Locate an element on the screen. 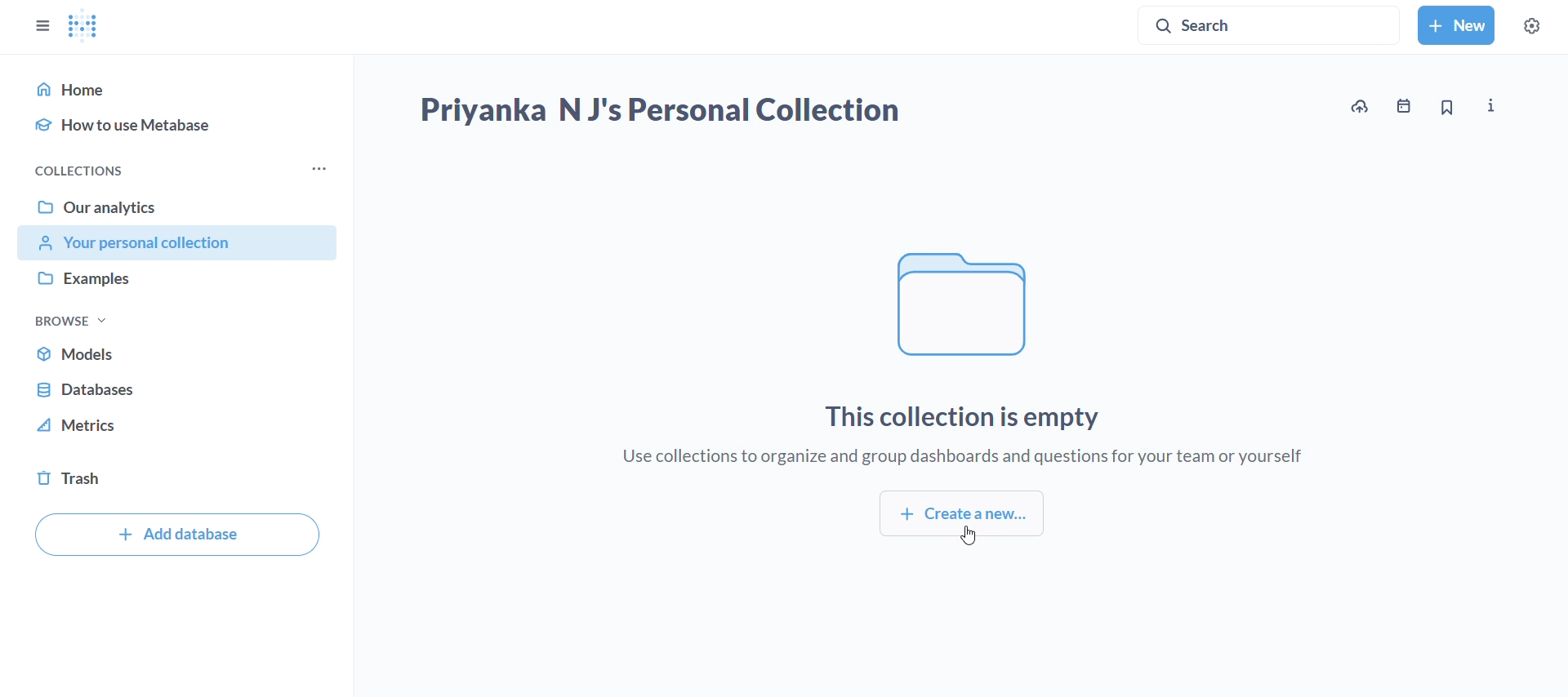 The image size is (1568, 697). bookmark is located at coordinates (1448, 109).